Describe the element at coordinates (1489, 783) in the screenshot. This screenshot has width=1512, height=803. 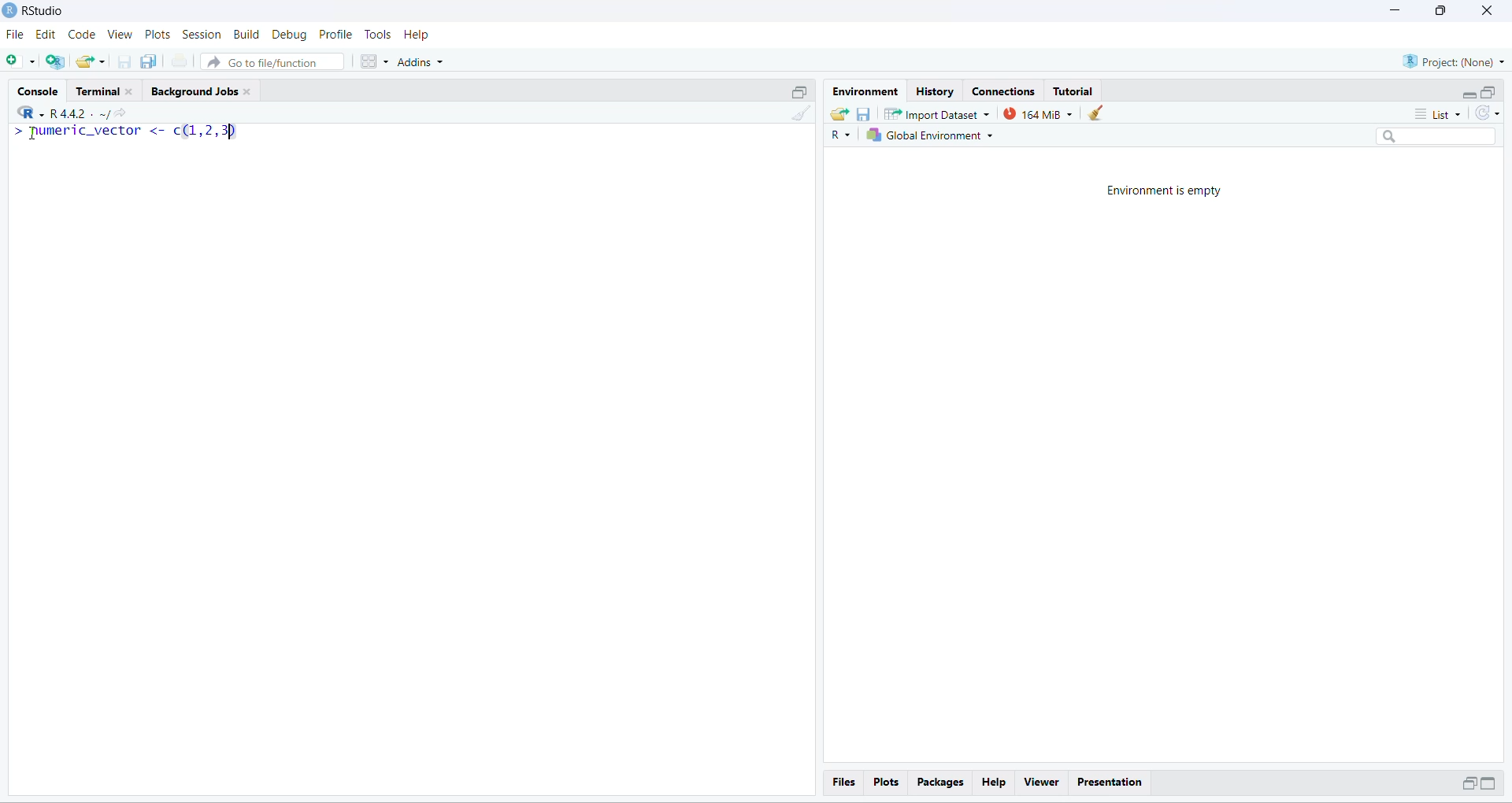
I see `maximize` at that location.